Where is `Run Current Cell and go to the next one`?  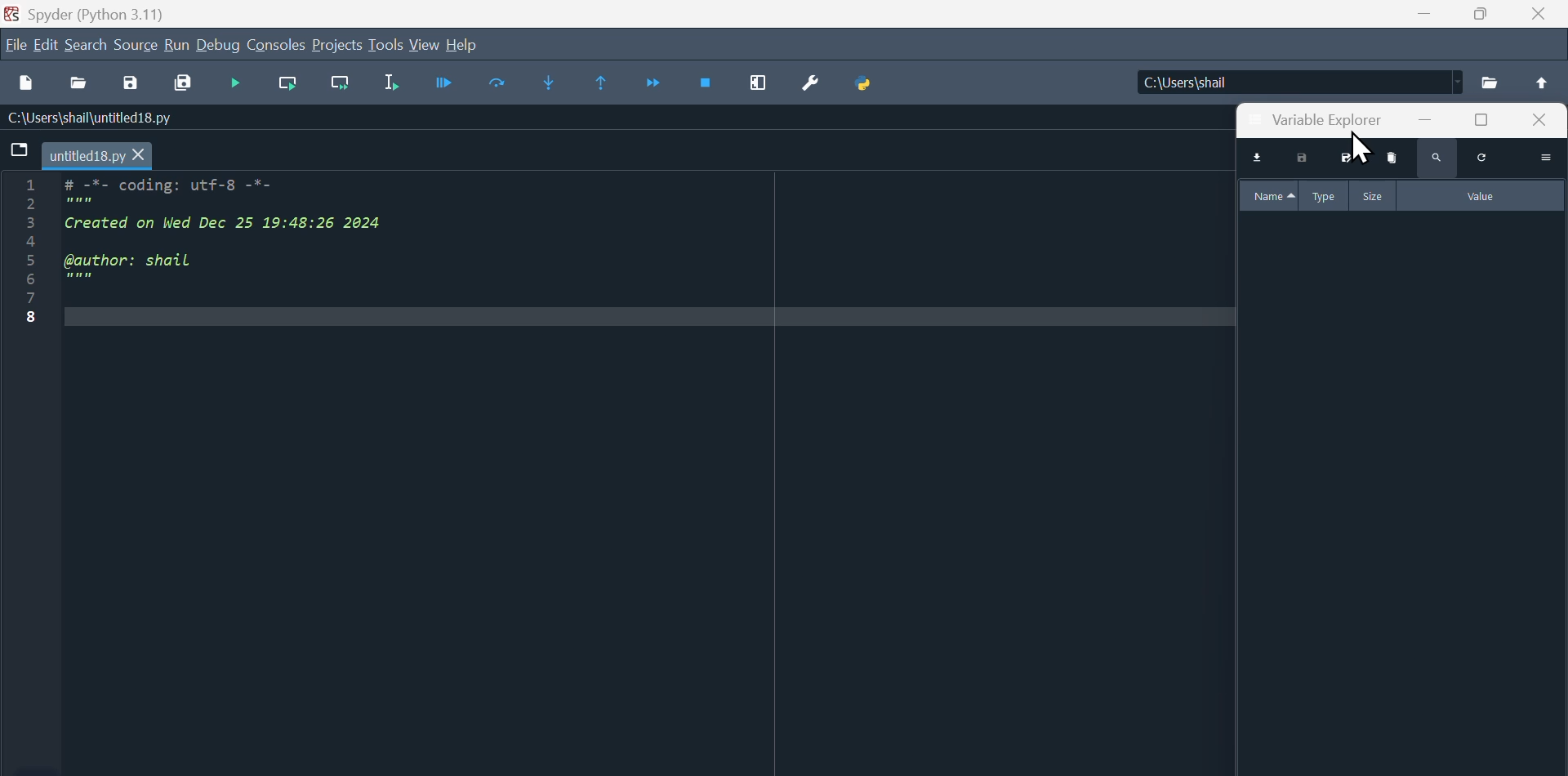
Run Current Cell and go to the next one is located at coordinates (343, 87).